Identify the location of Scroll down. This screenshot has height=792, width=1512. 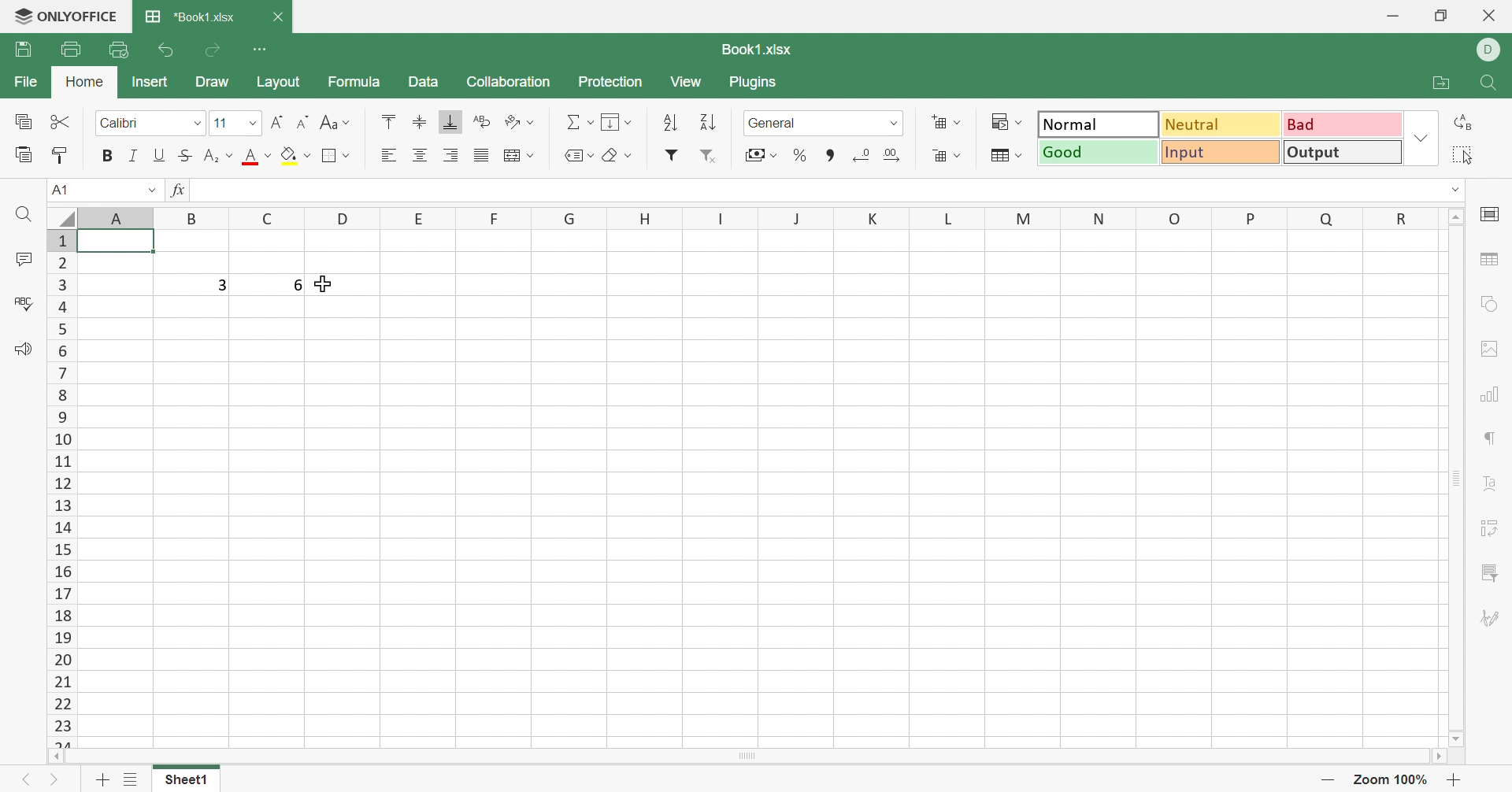
(1455, 738).